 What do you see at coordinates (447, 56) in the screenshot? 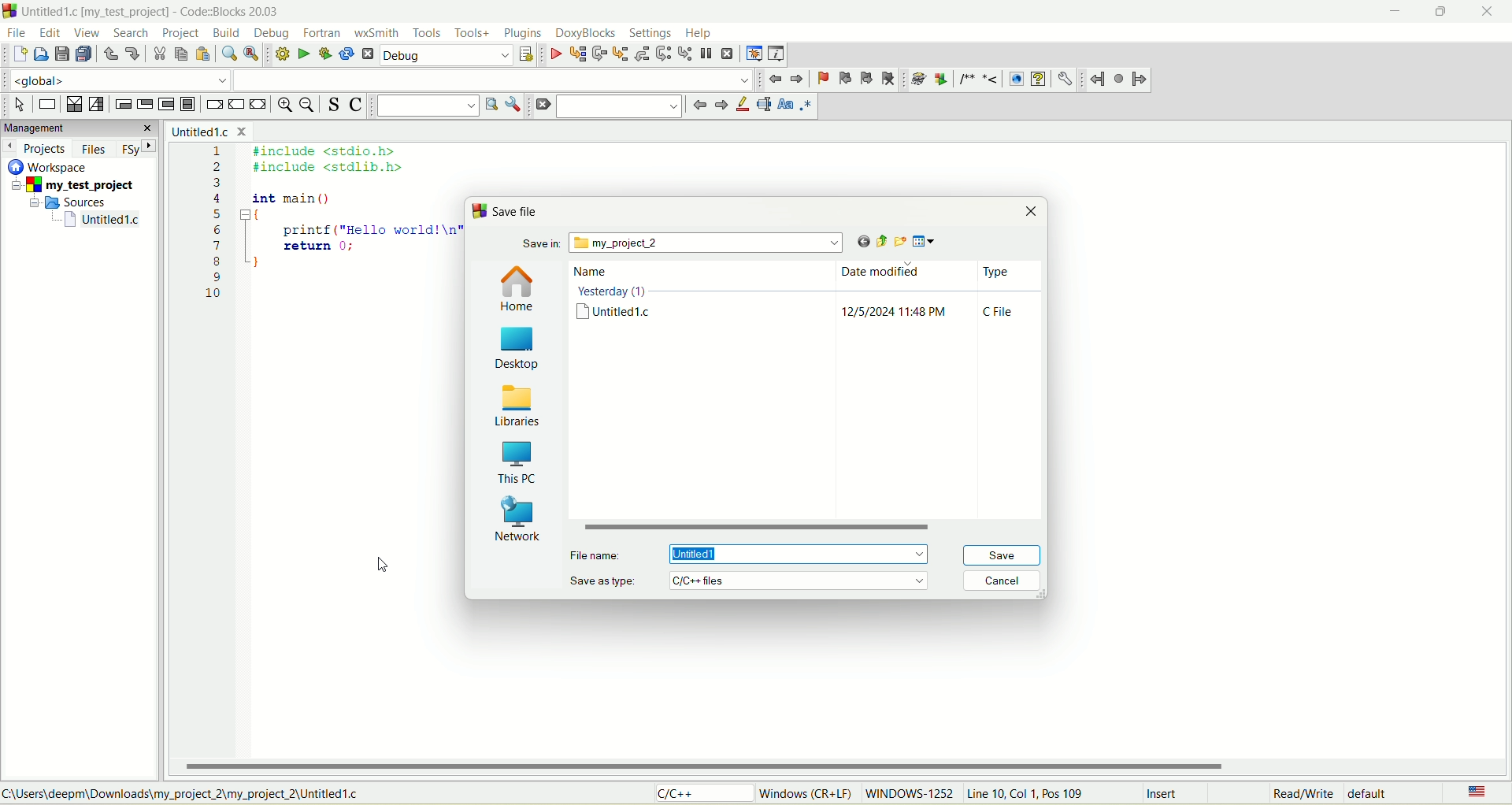
I see `debug` at bounding box center [447, 56].